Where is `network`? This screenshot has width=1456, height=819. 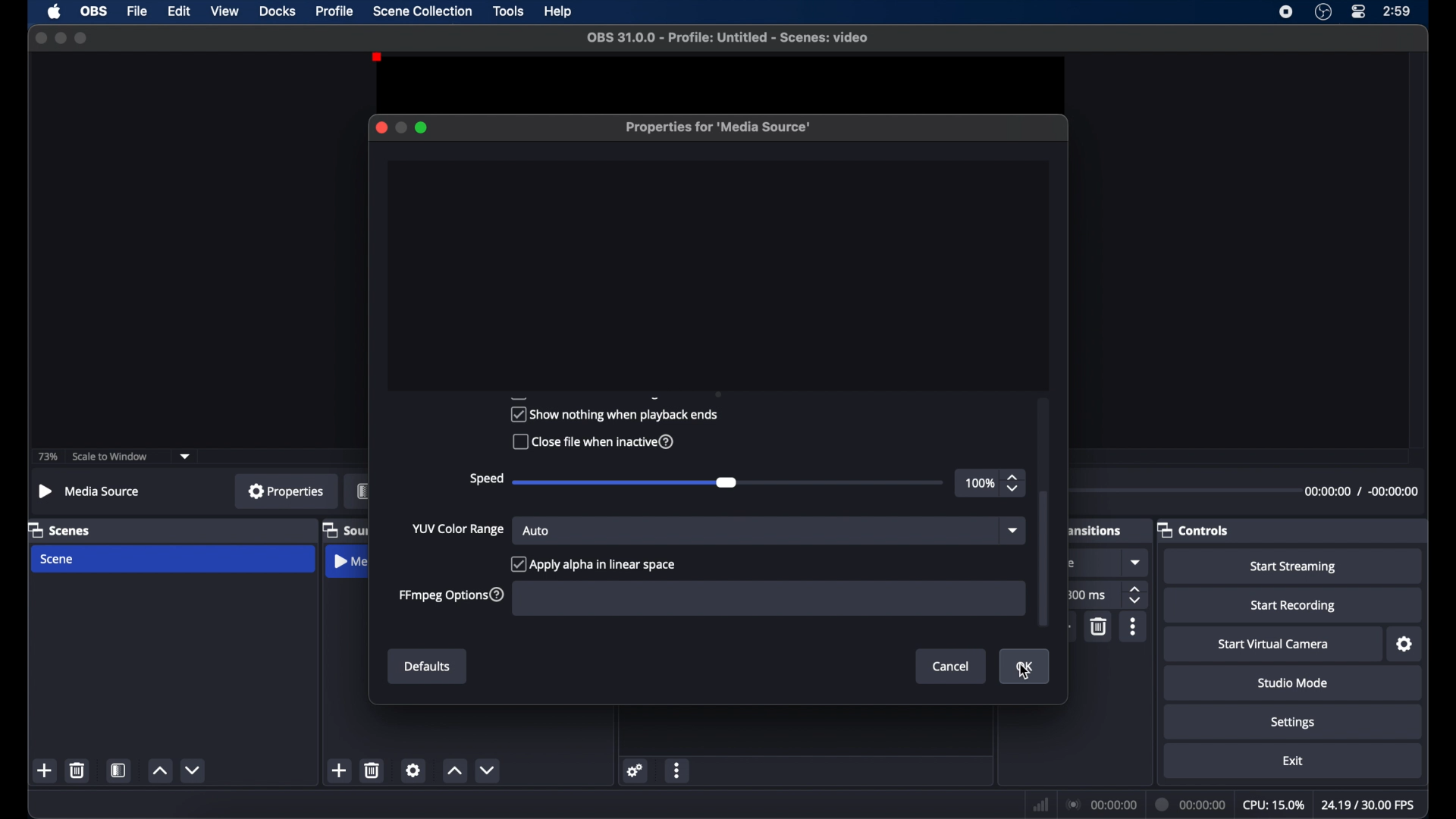 network is located at coordinates (1041, 805).